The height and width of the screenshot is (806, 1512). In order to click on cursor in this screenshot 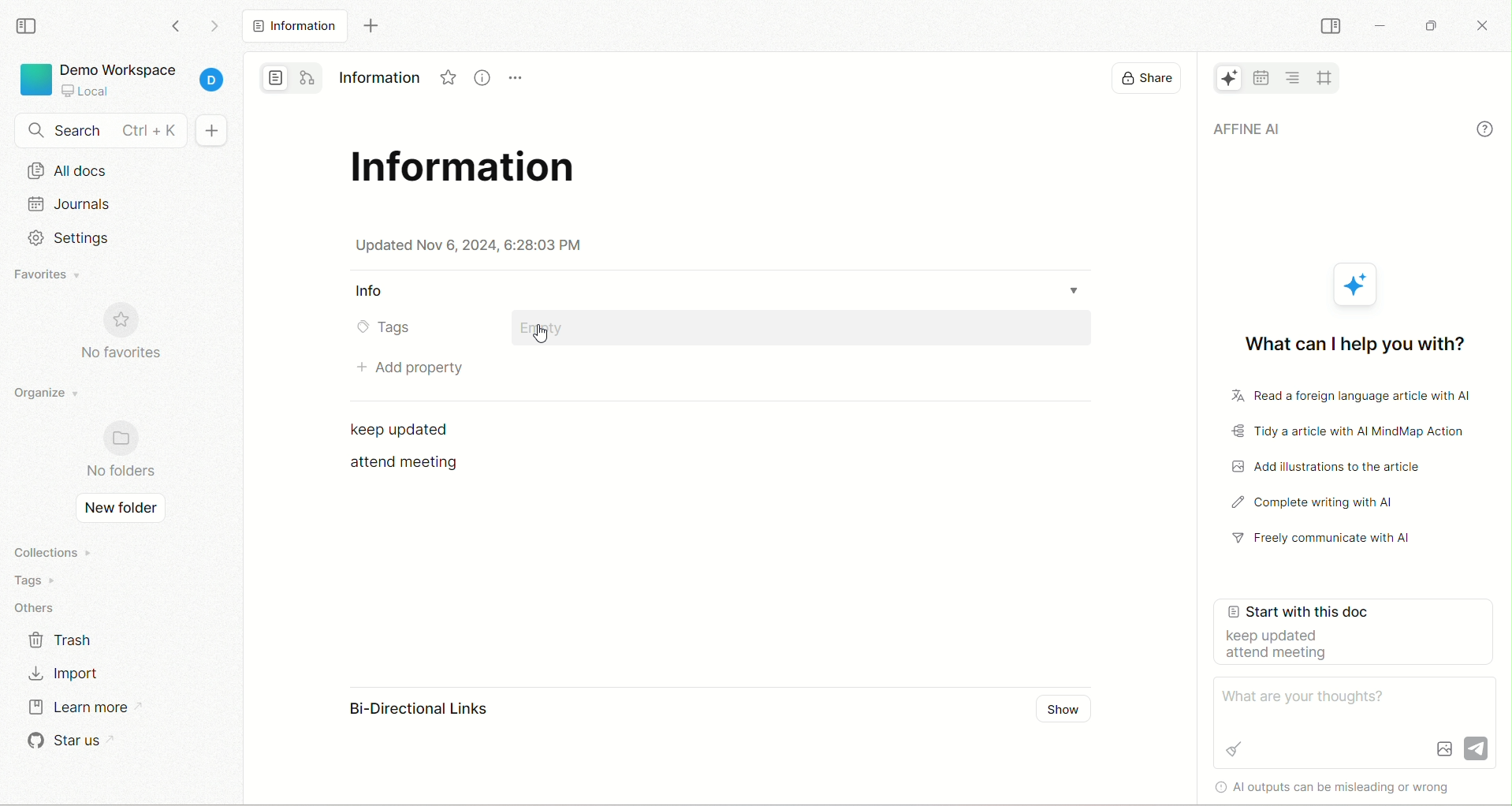, I will do `click(542, 334)`.